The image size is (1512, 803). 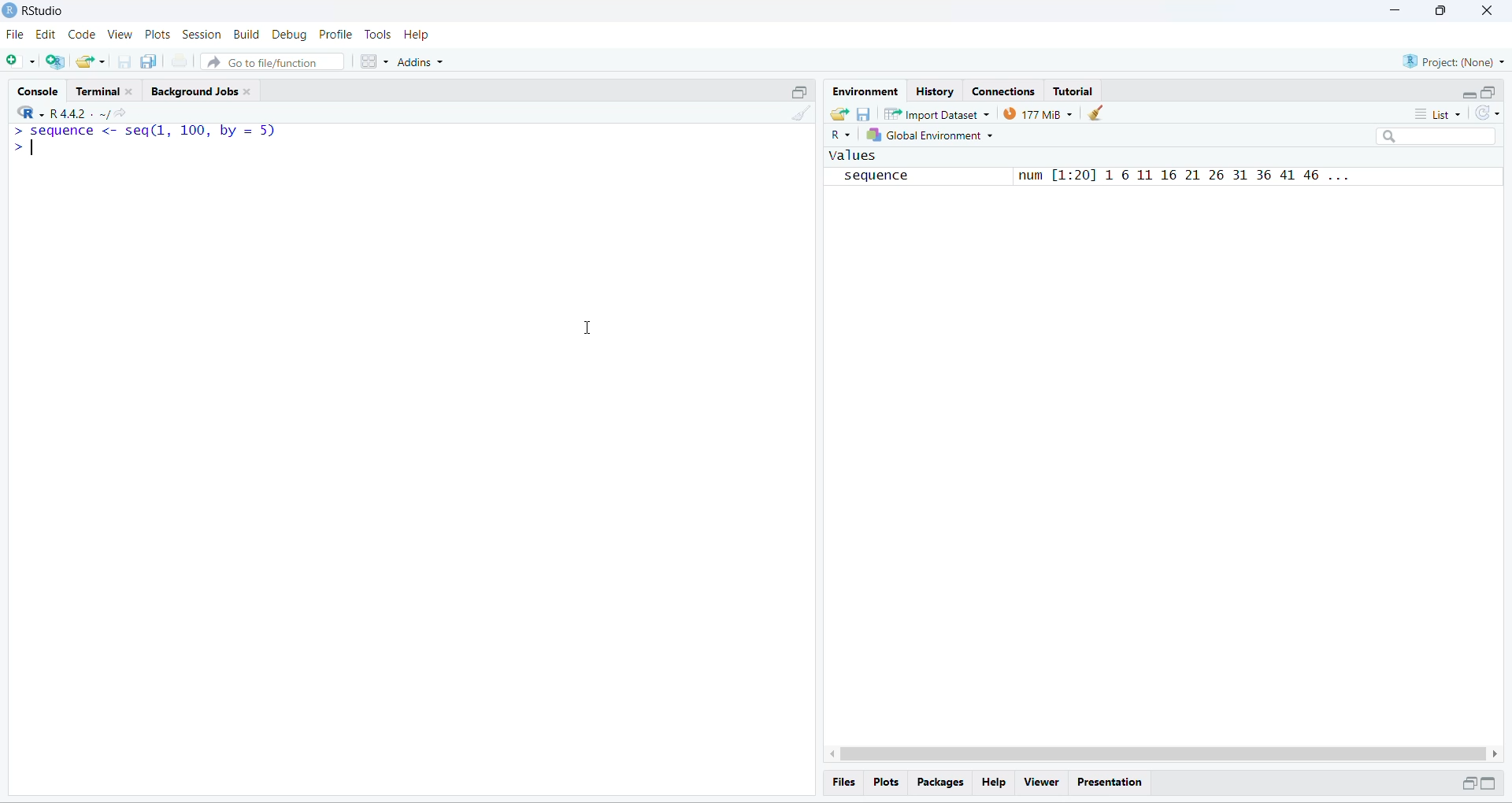 What do you see at coordinates (936, 92) in the screenshot?
I see `History ` at bounding box center [936, 92].